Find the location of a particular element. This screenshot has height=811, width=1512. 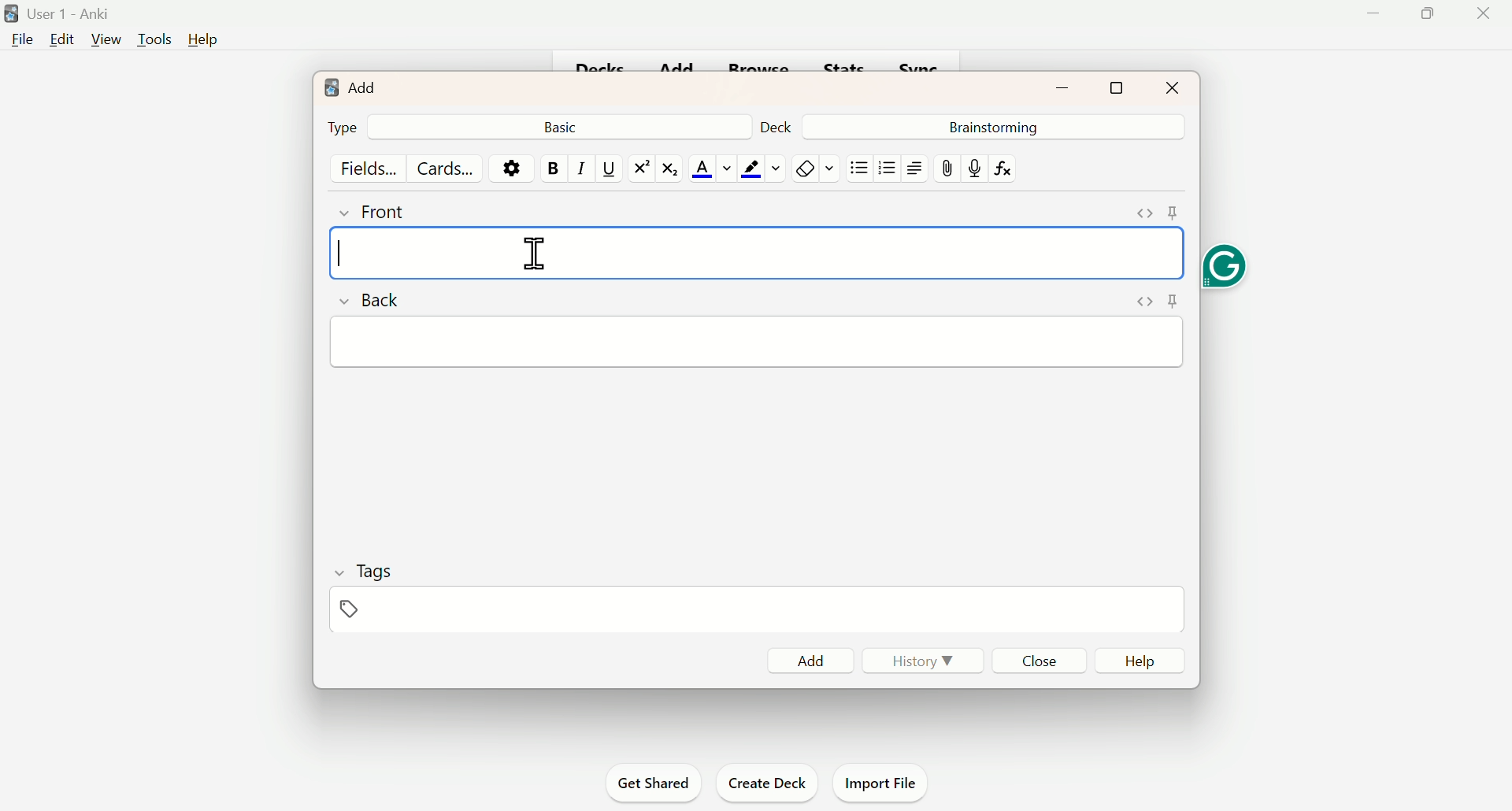

cursor is located at coordinates (533, 254).